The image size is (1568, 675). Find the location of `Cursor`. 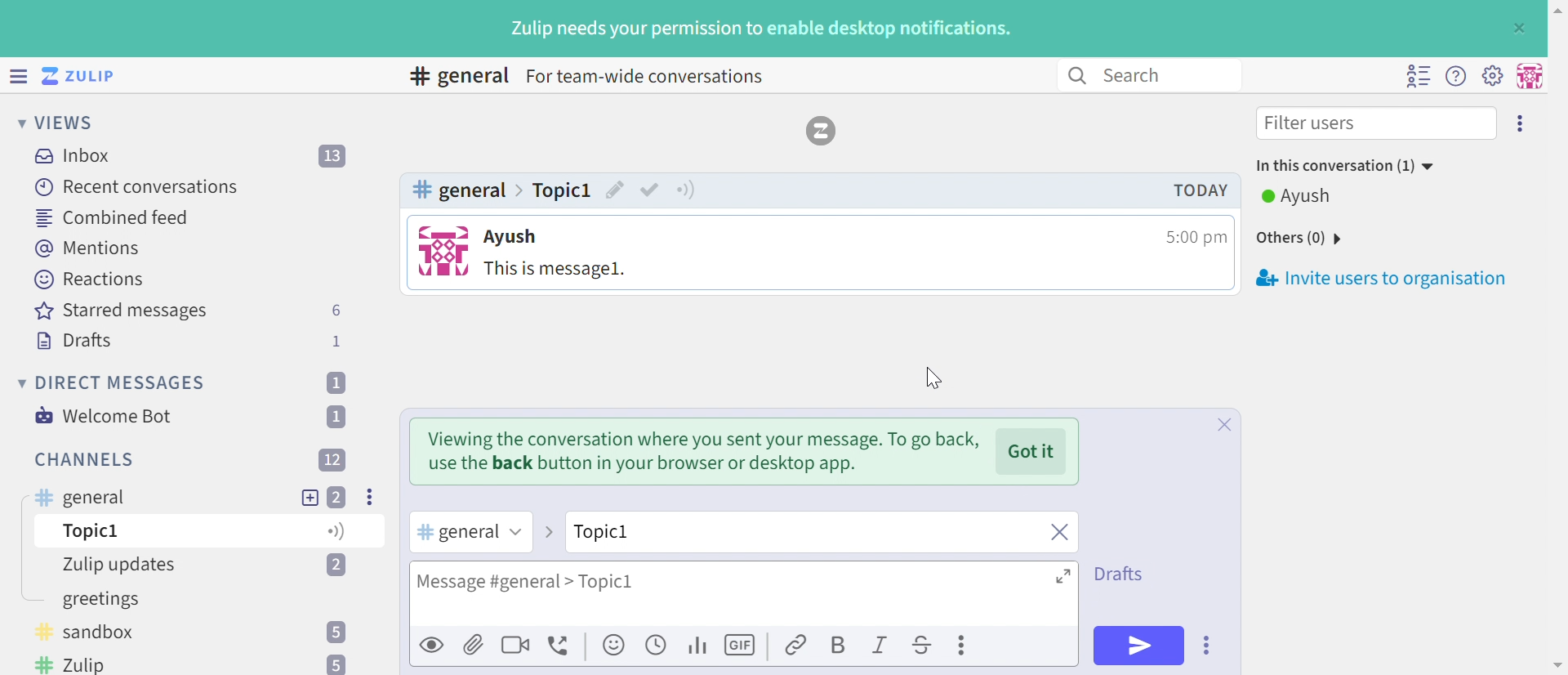

Cursor is located at coordinates (929, 378).